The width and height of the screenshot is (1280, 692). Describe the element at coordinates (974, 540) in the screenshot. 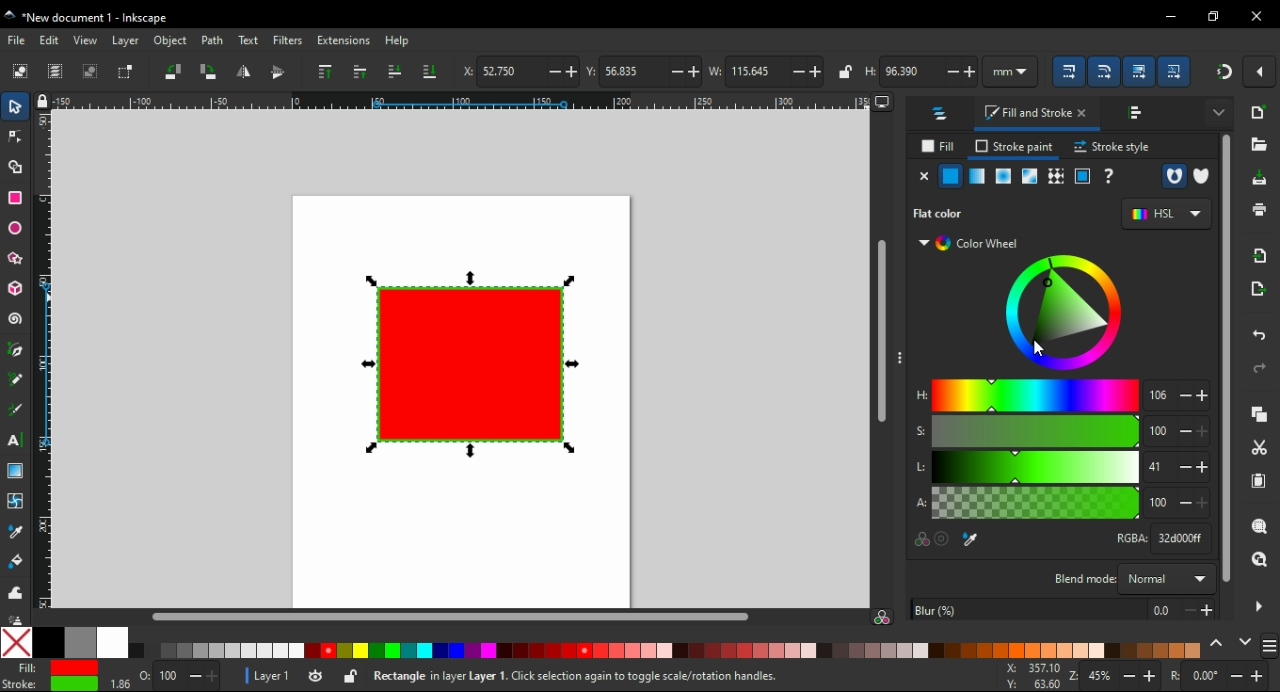

I see `pick color from imahe` at that location.